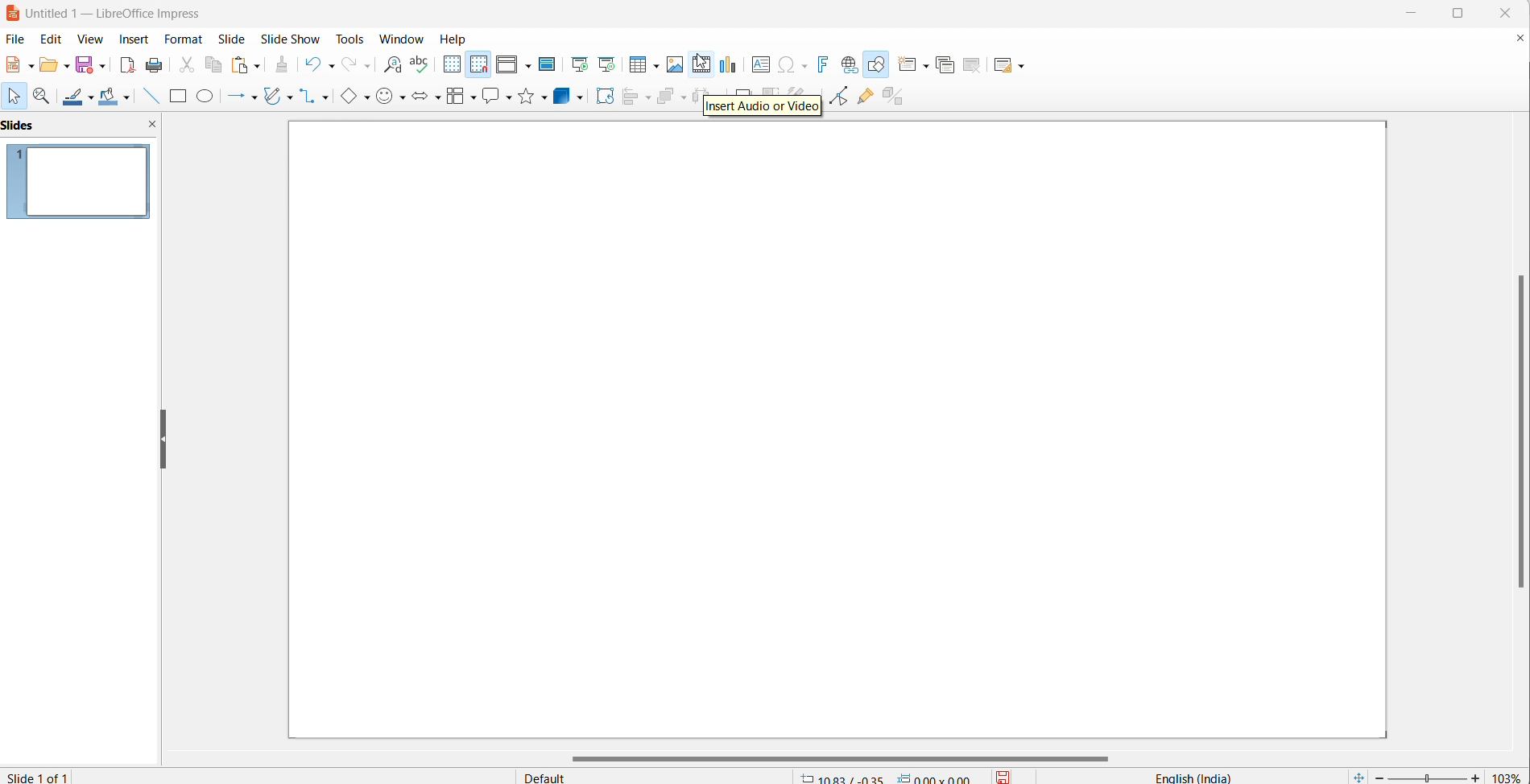  What do you see at coordinates (75, 97) in the screenshot?
I see `line color` at bounding box center [75, 97].